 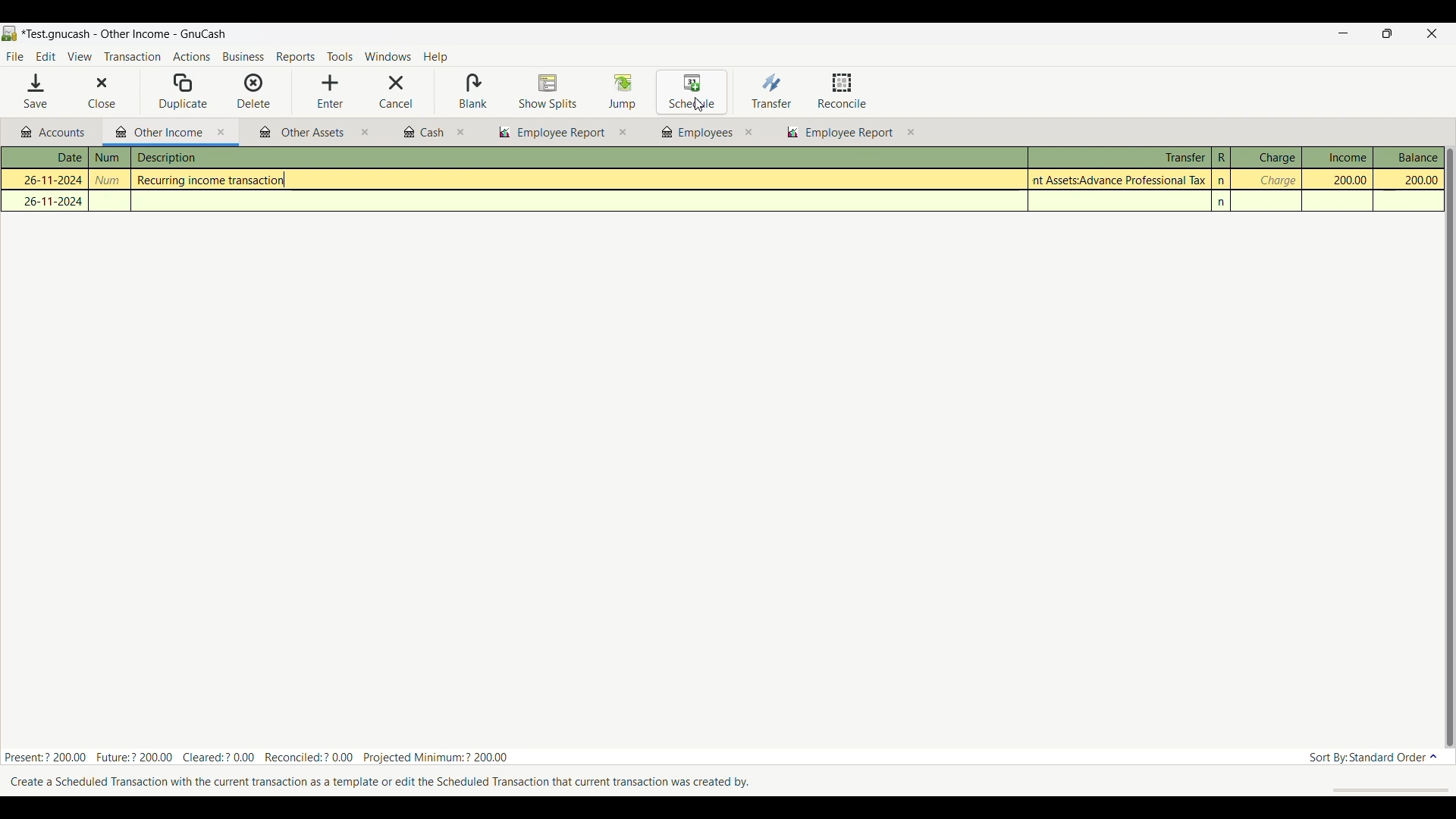 What do you see at coordinates (45, 57) in the screenshot?
I see `Edit menu` at bounding box center [45, 57].